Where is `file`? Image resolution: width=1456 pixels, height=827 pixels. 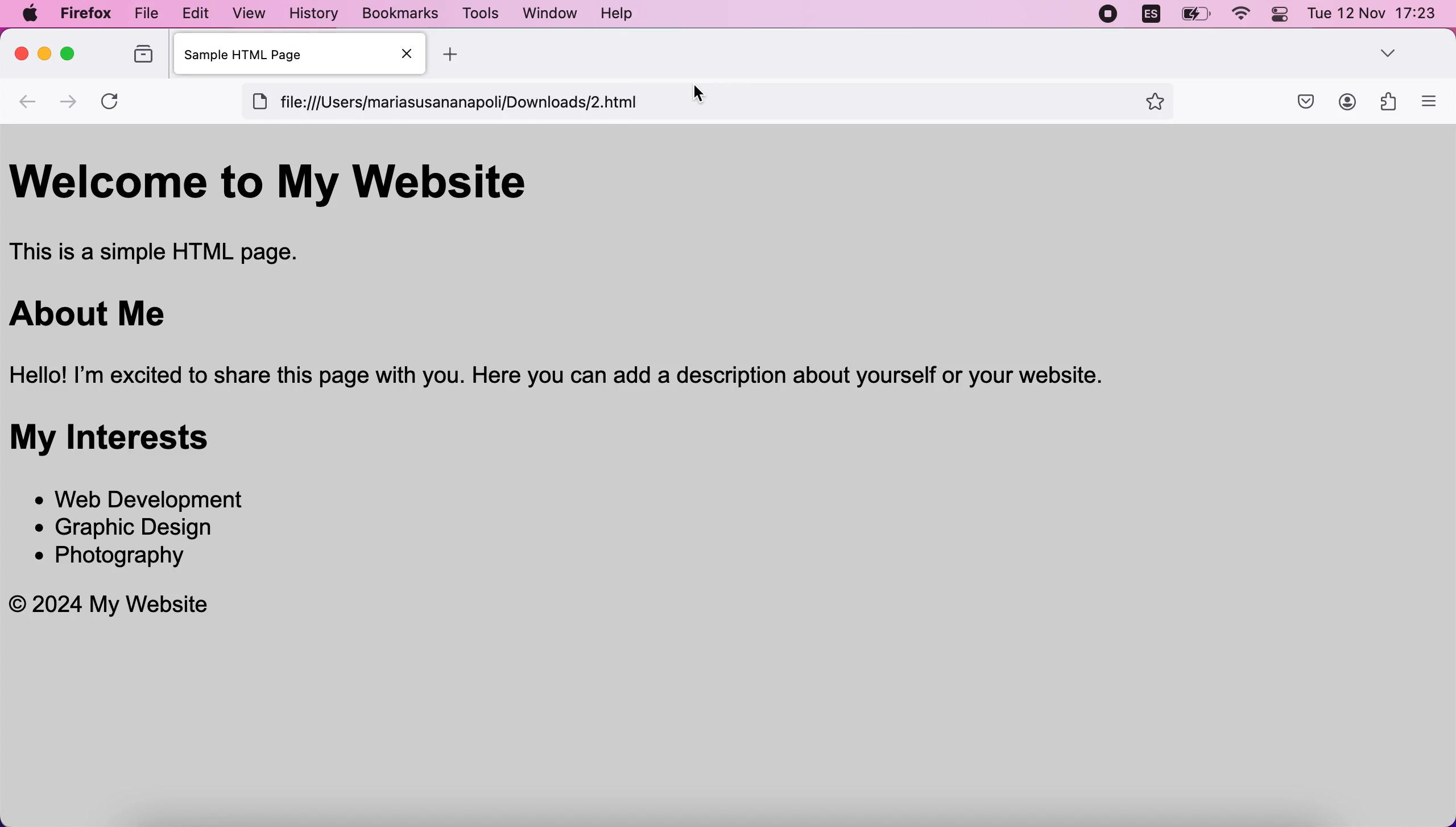
file is located at coordinates (147, 15).